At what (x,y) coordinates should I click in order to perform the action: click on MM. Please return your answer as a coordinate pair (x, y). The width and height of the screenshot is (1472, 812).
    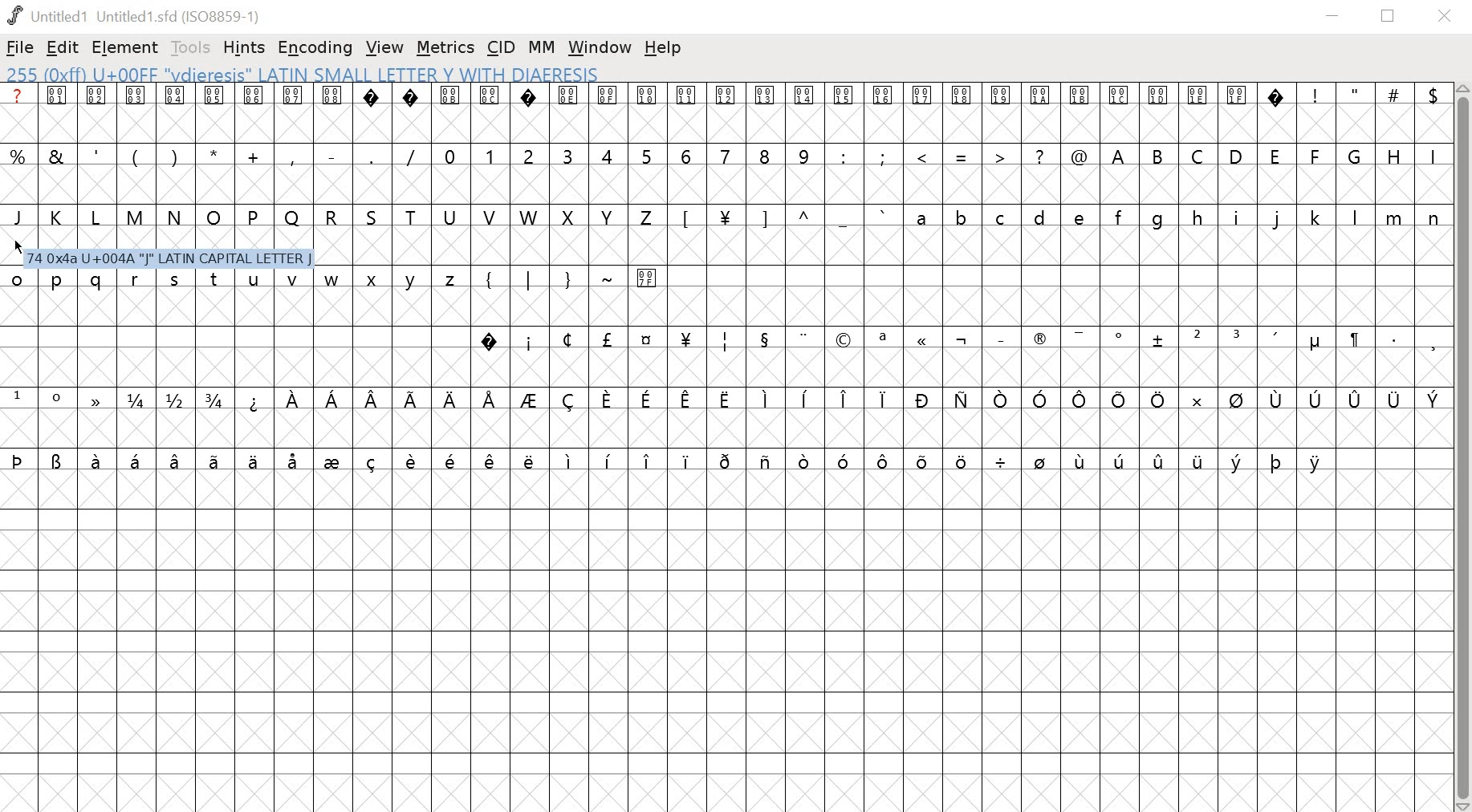
    Looking at the image, I should click on (543, 47).